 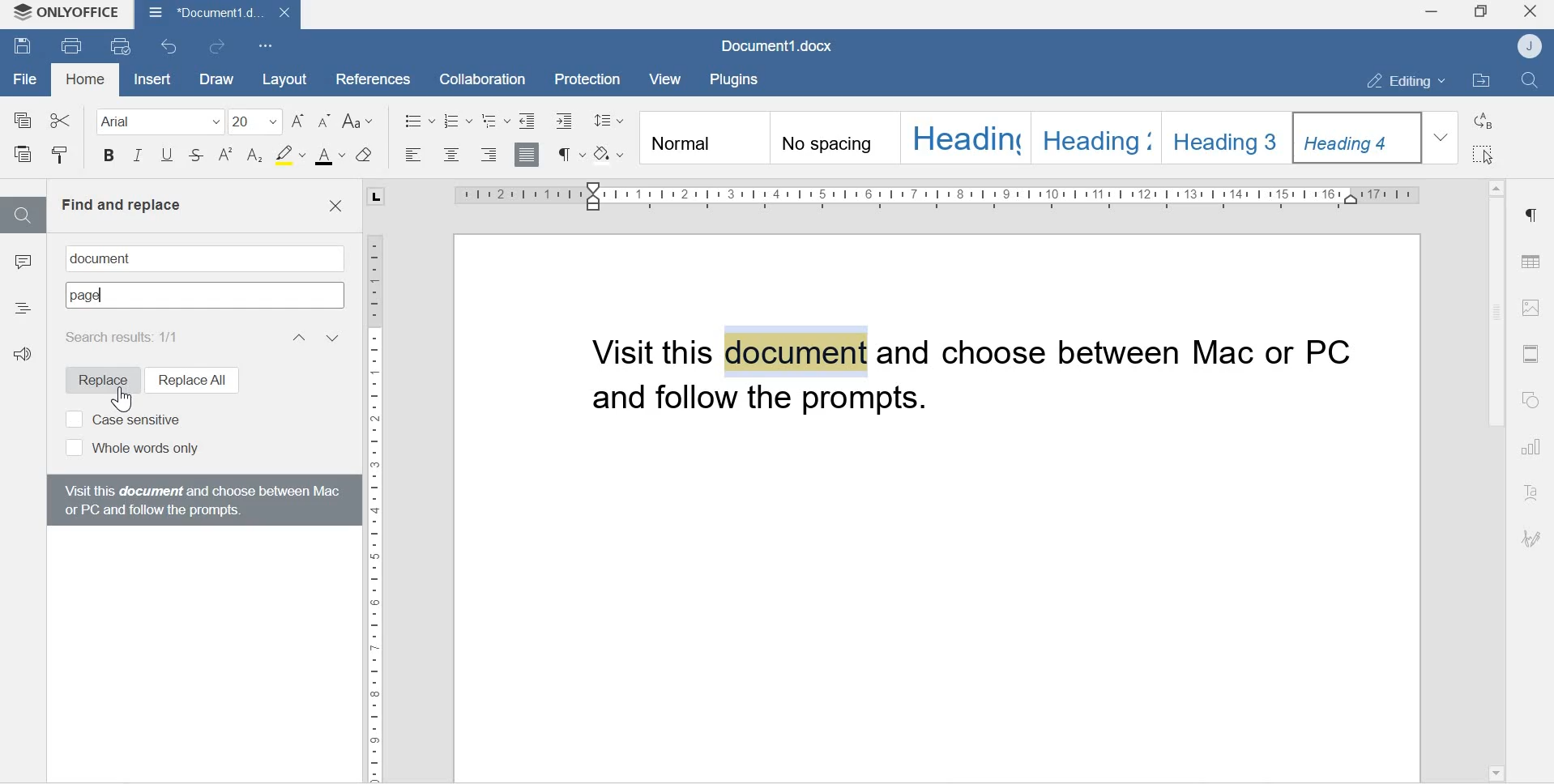 What do you see at coordinates (25, 79) in the screenshot?
I see `File` at bounding box center [25, 79].